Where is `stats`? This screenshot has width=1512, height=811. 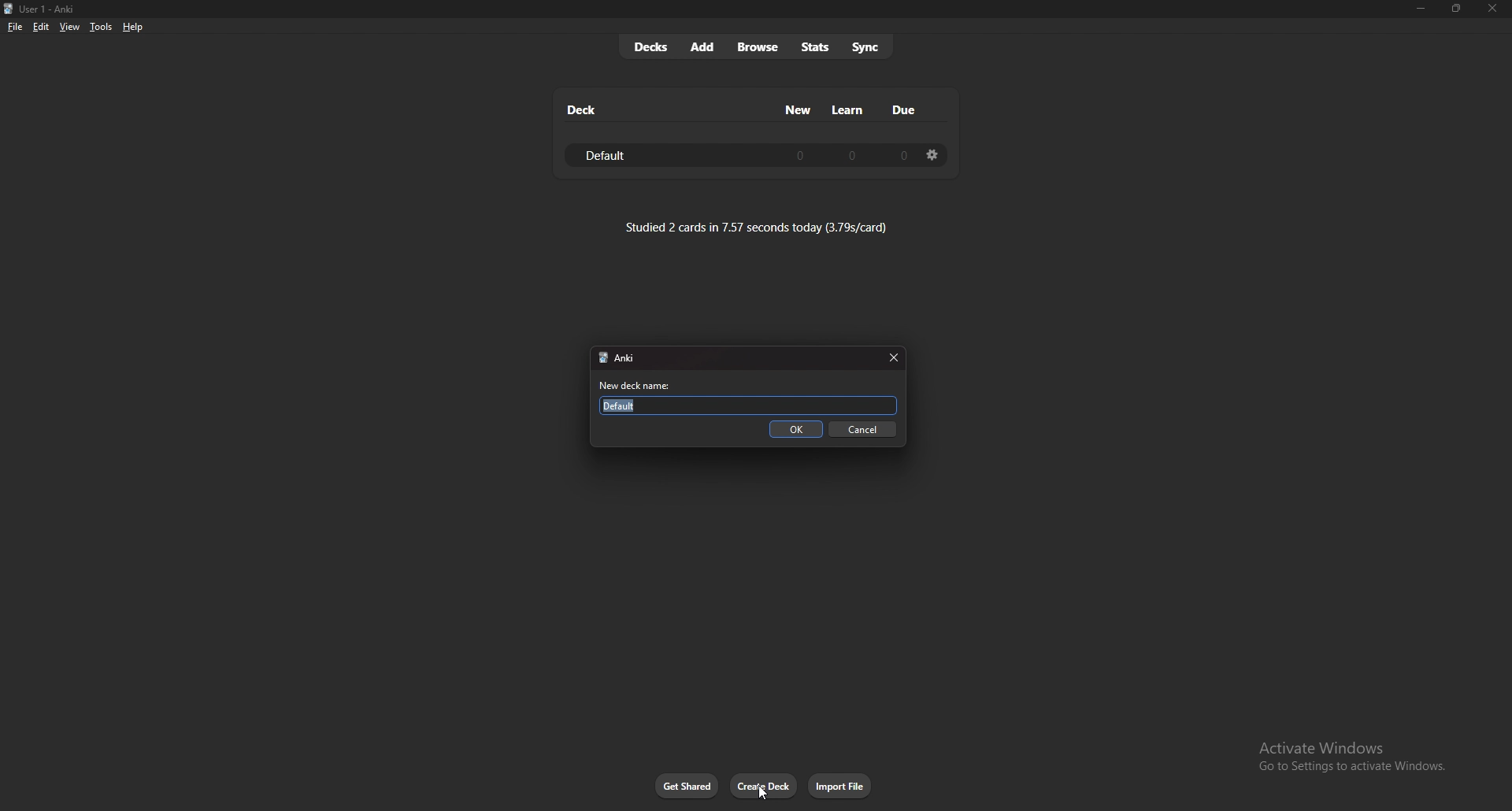 stats is located at coordinates (815, 47).